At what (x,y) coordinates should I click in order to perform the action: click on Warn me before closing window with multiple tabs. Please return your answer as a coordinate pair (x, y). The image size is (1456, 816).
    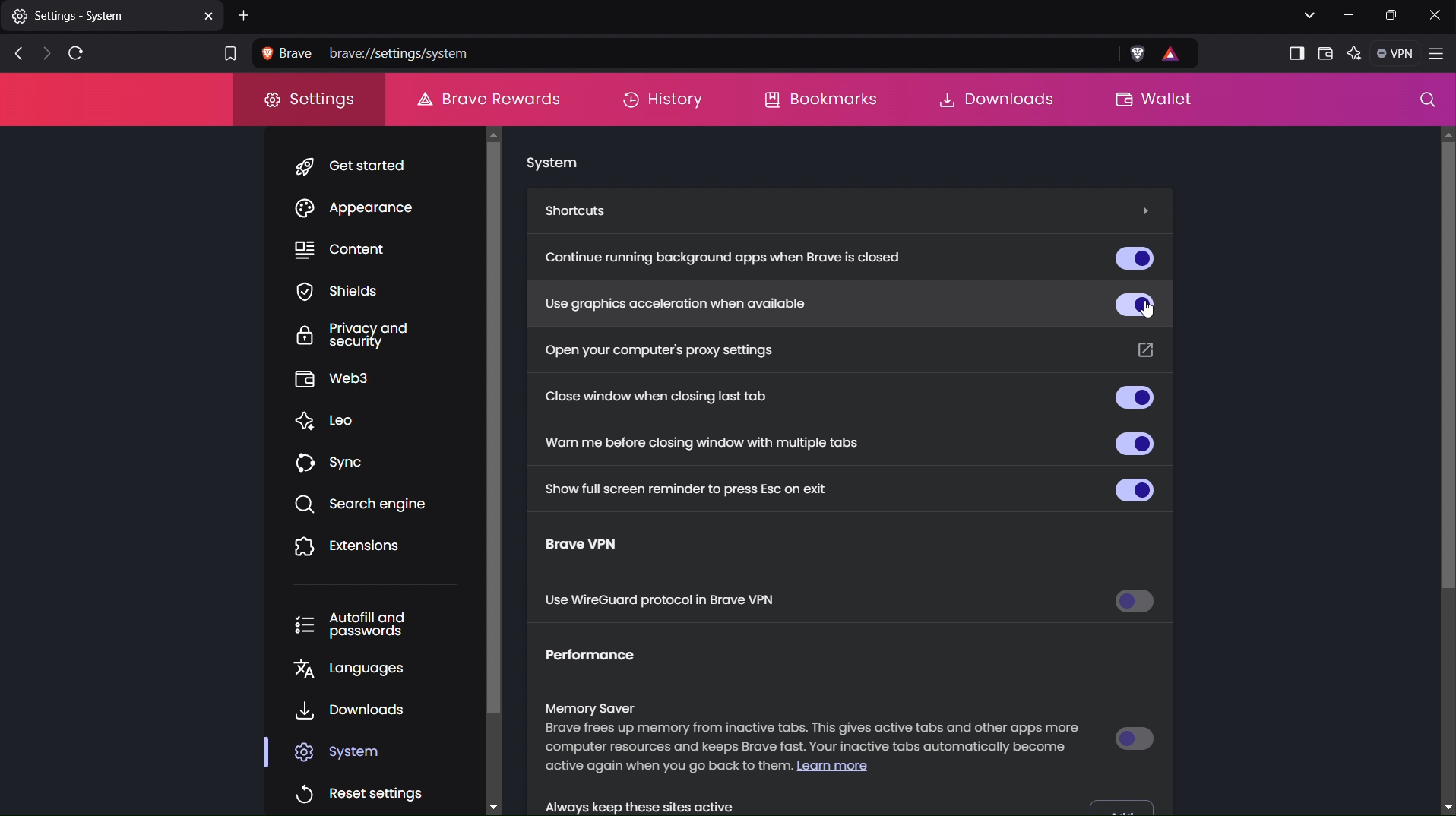
    Looking at the image, I should click on (704, 441).